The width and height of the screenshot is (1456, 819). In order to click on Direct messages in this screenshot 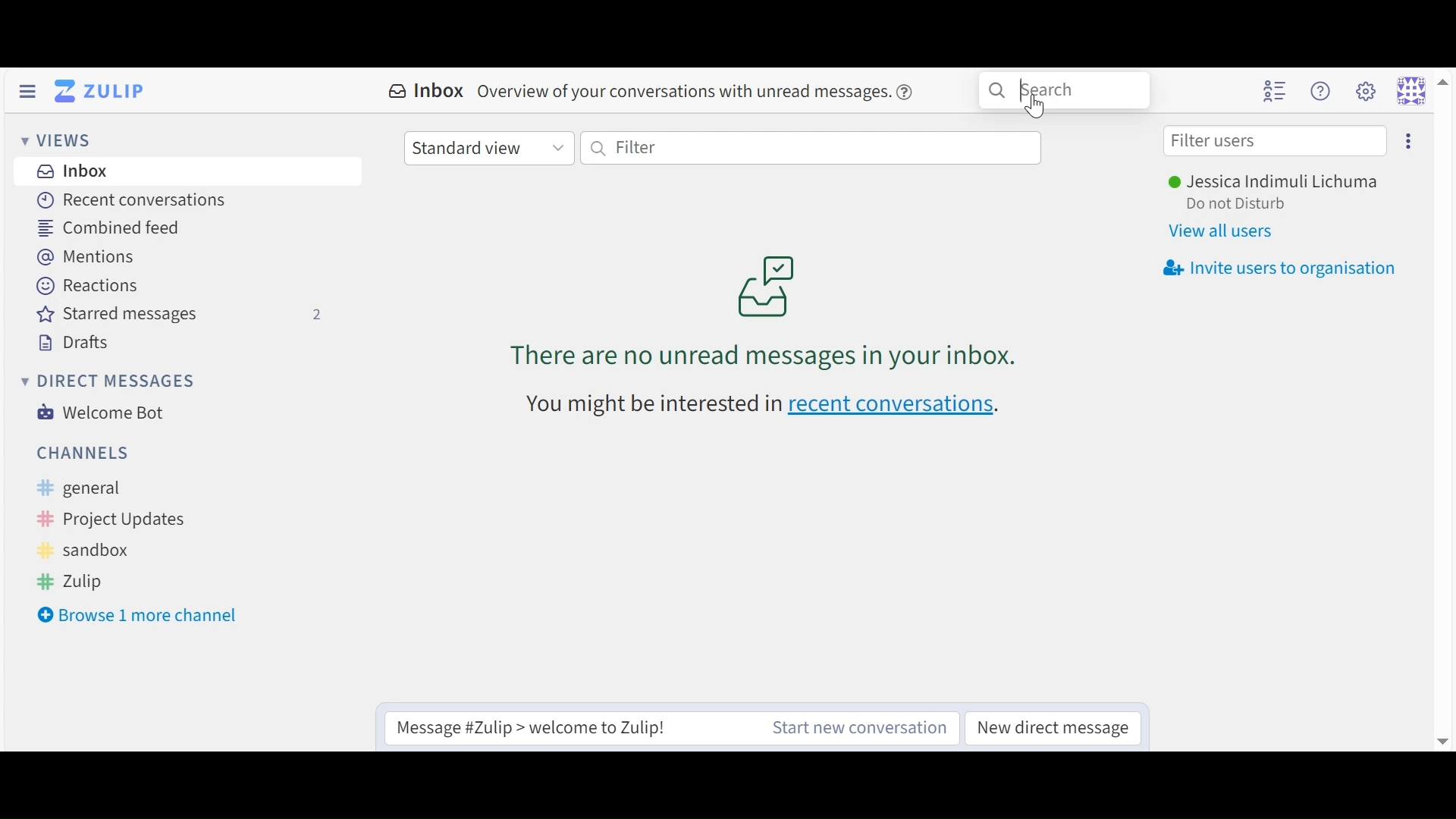, I will do `click(107, 379)`.